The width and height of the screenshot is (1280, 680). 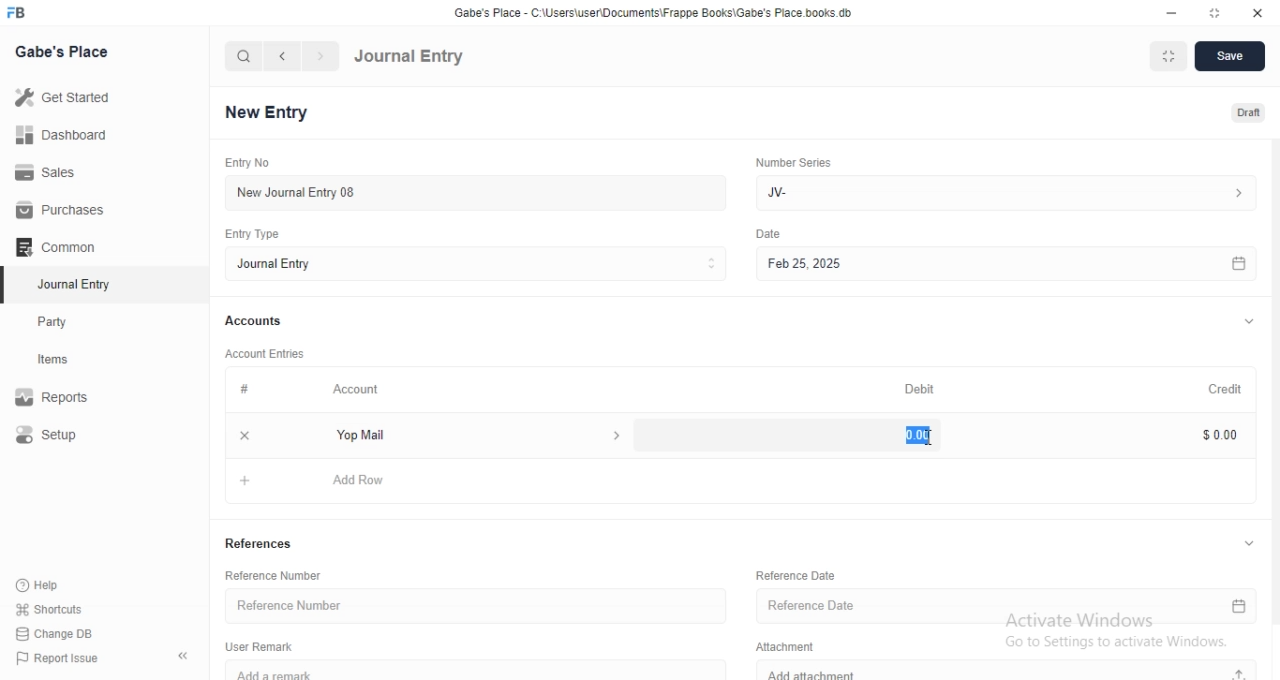 What do you see at coordinates (266, 111) in the screenshot?
I see `New Entry` at bounding box center [266, 111].